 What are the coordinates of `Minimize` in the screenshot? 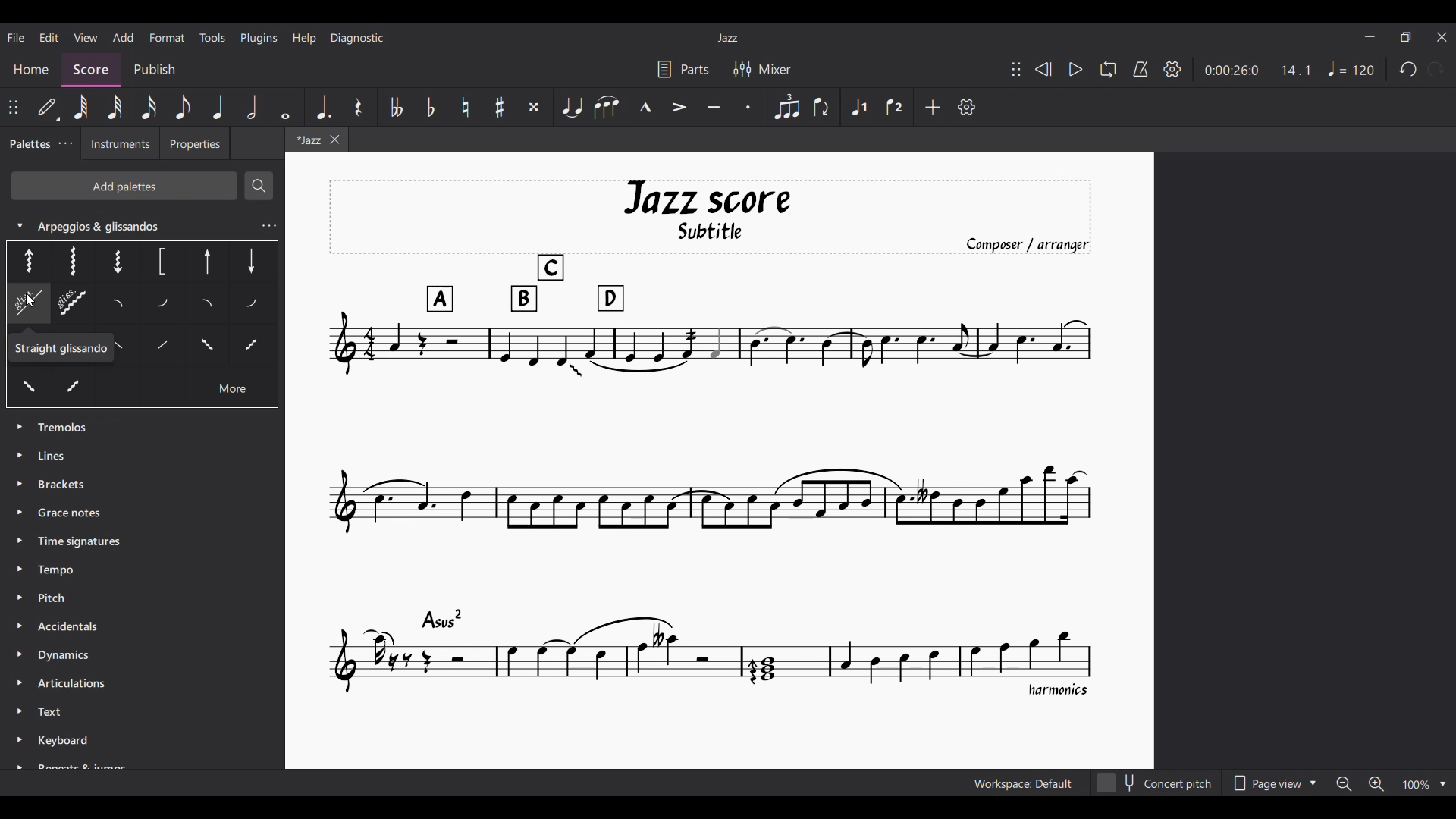 It's located at (1370, 36).